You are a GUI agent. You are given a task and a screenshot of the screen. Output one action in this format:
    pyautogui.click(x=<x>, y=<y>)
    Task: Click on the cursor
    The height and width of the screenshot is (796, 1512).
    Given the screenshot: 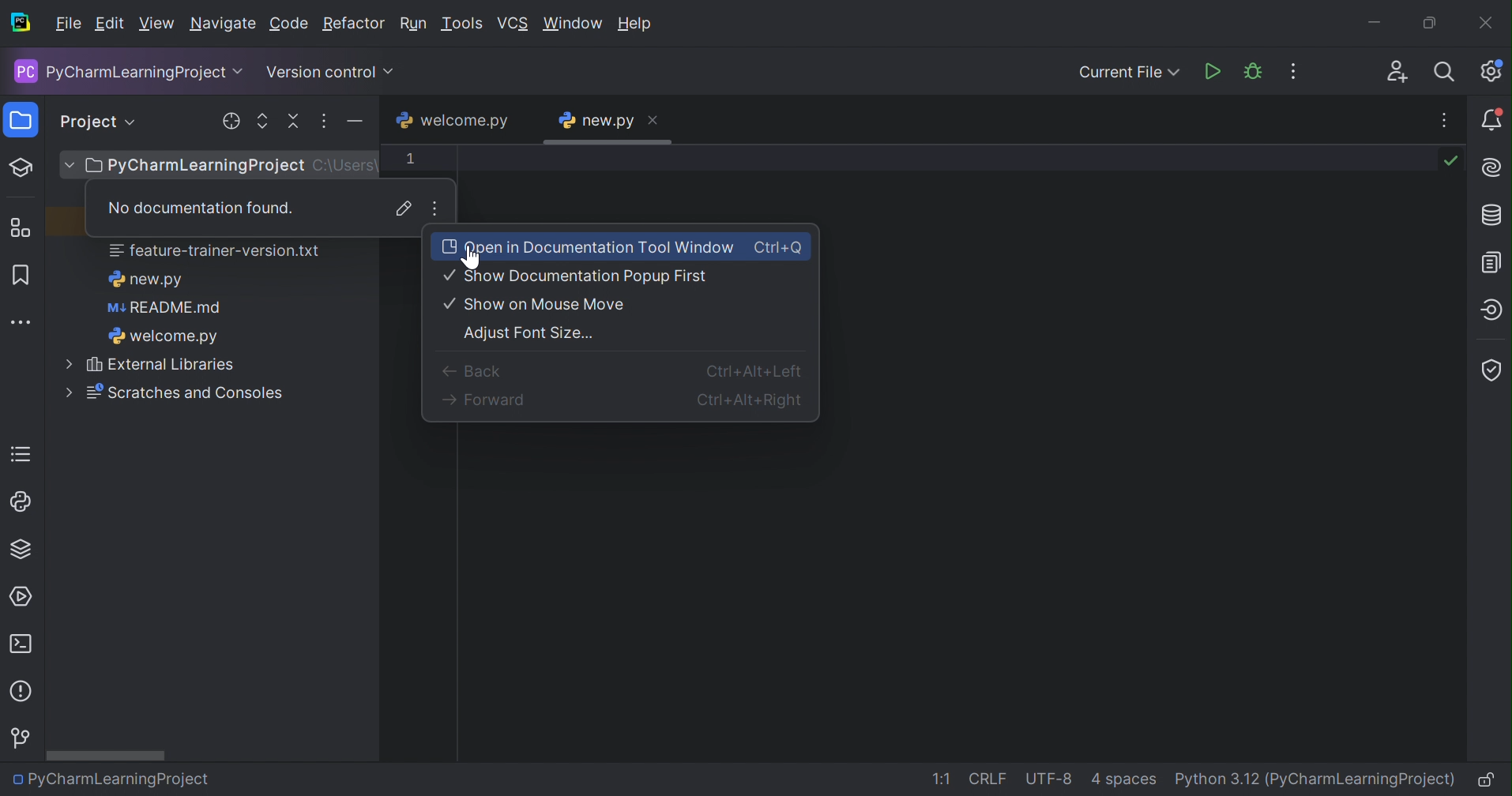 What is the action you would take?
    pyautogui.click(x=478, y=257)
    